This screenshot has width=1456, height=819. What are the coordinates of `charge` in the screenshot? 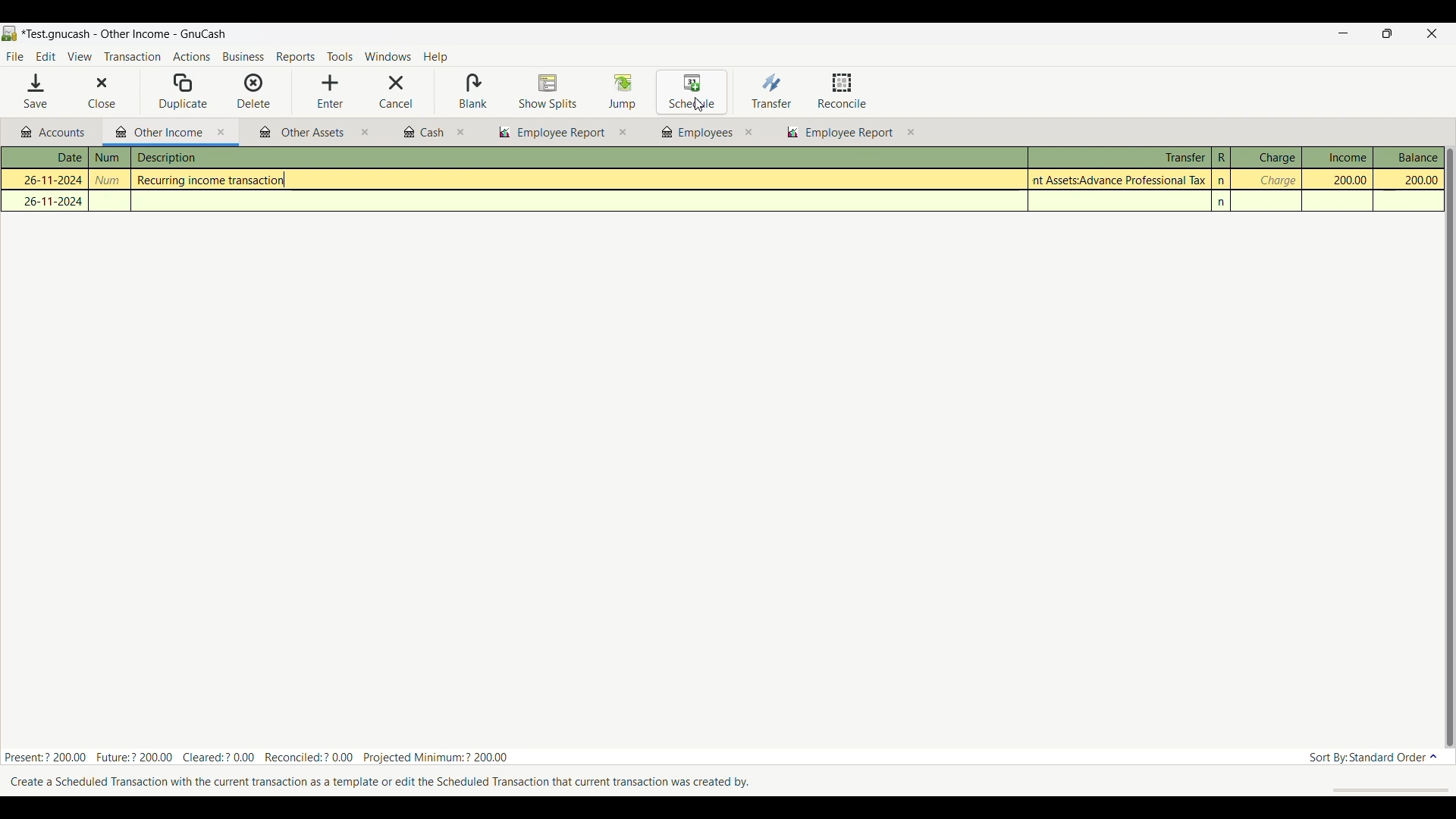 It's located at (1276, 180).